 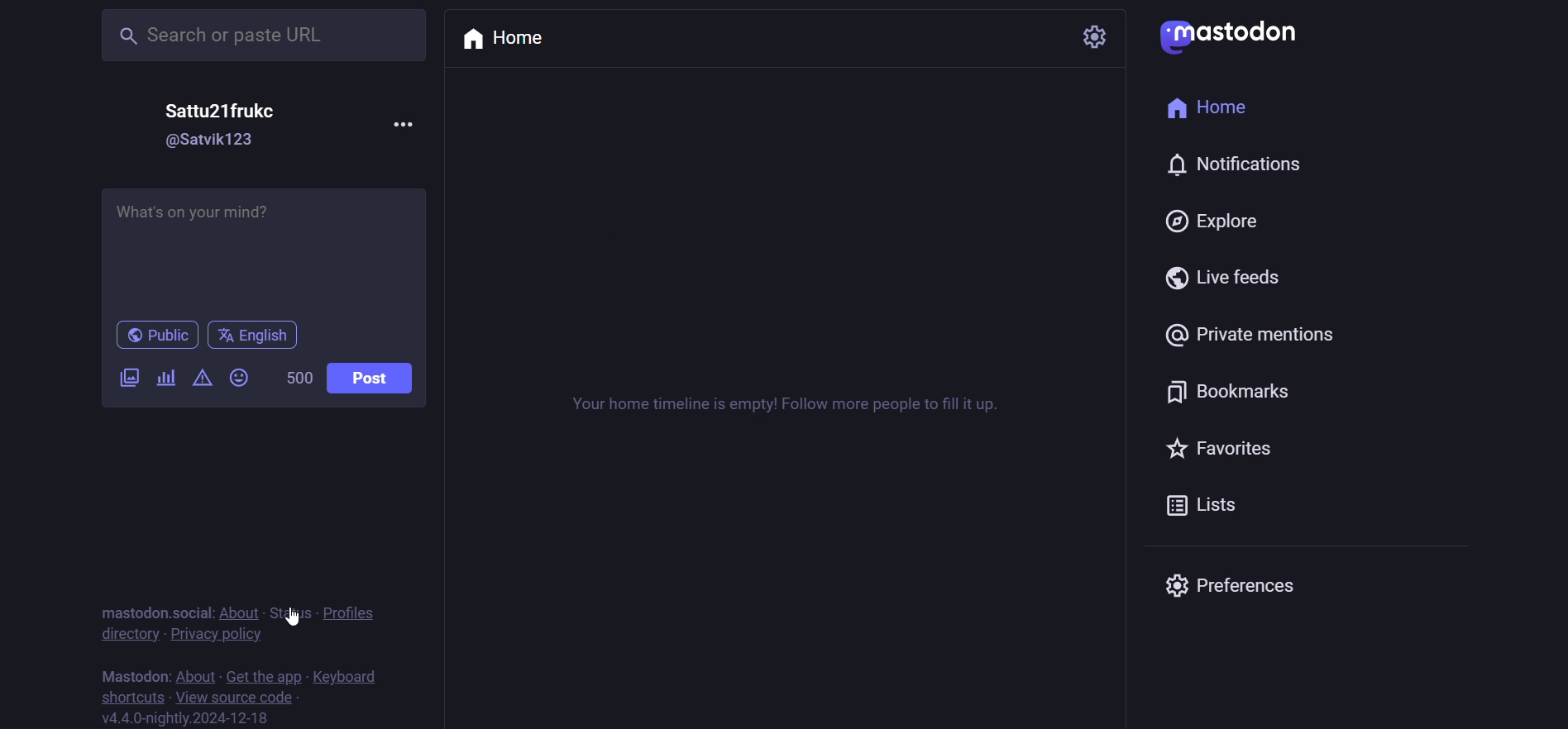 I want to click on post here, so click(x=261, y=250).